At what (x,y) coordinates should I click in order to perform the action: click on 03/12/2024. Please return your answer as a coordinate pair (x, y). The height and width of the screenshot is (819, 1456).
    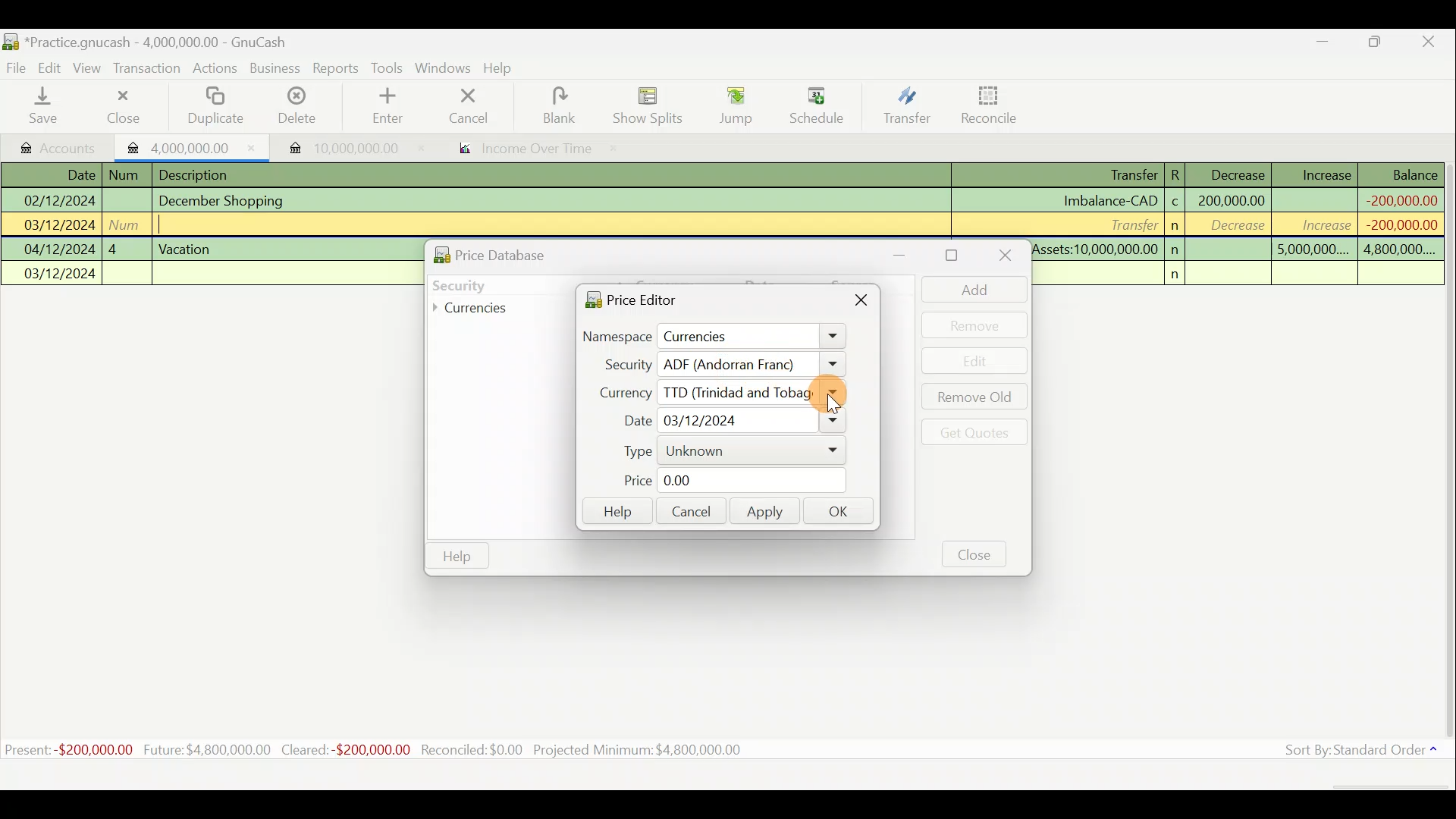
    Looking at the image, I should click on (60, 227).